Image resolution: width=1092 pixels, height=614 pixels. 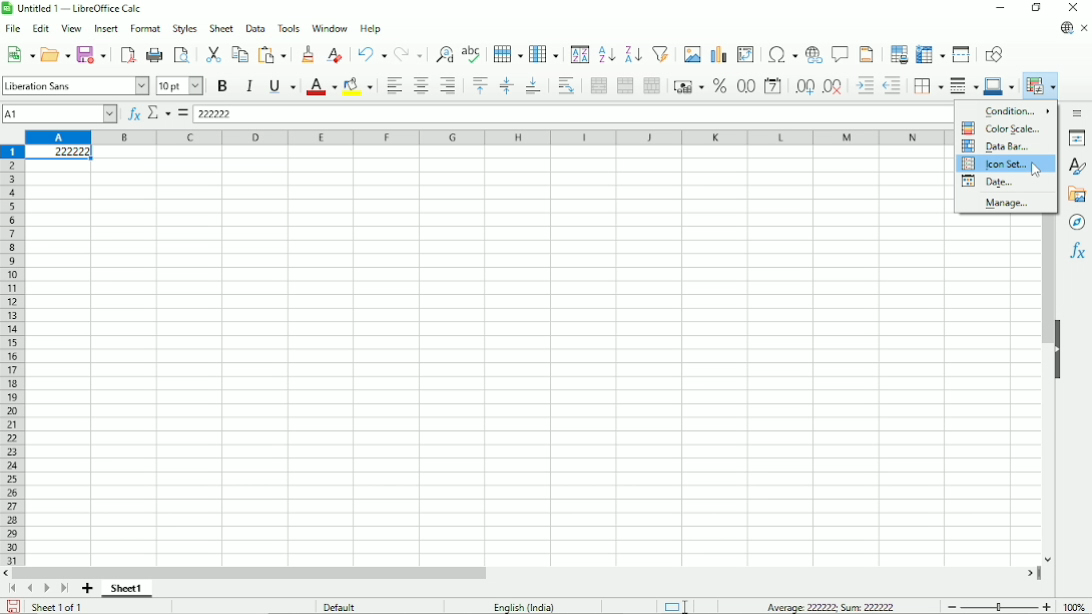 What do you see at coordinates (178, 86) in the screenshot?
I see `Font size` at bounding box center [178, 86].